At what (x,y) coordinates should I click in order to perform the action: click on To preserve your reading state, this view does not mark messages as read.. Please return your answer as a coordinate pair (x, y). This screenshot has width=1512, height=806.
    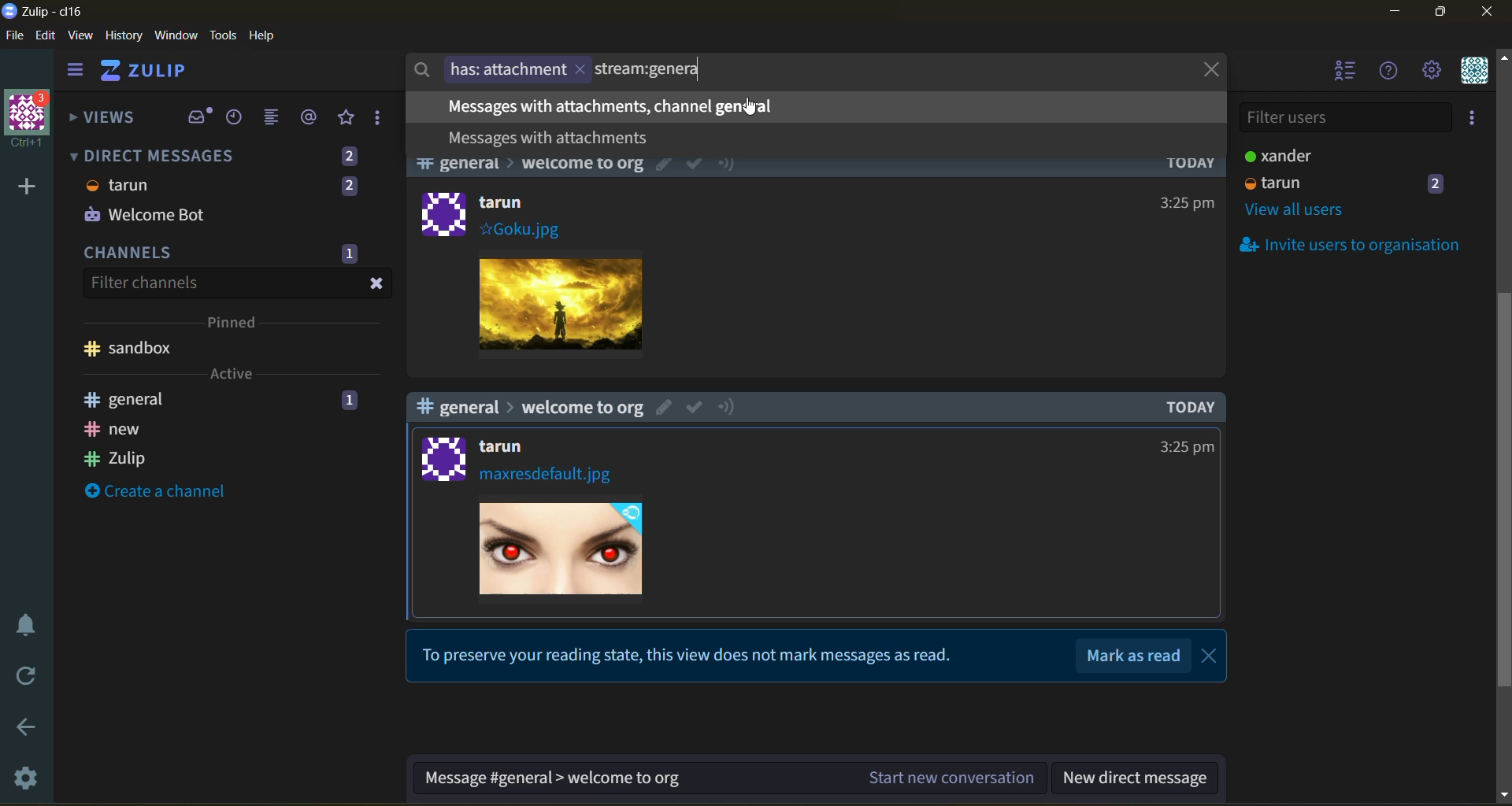
    Looking at the image, I should click on (692, 657).